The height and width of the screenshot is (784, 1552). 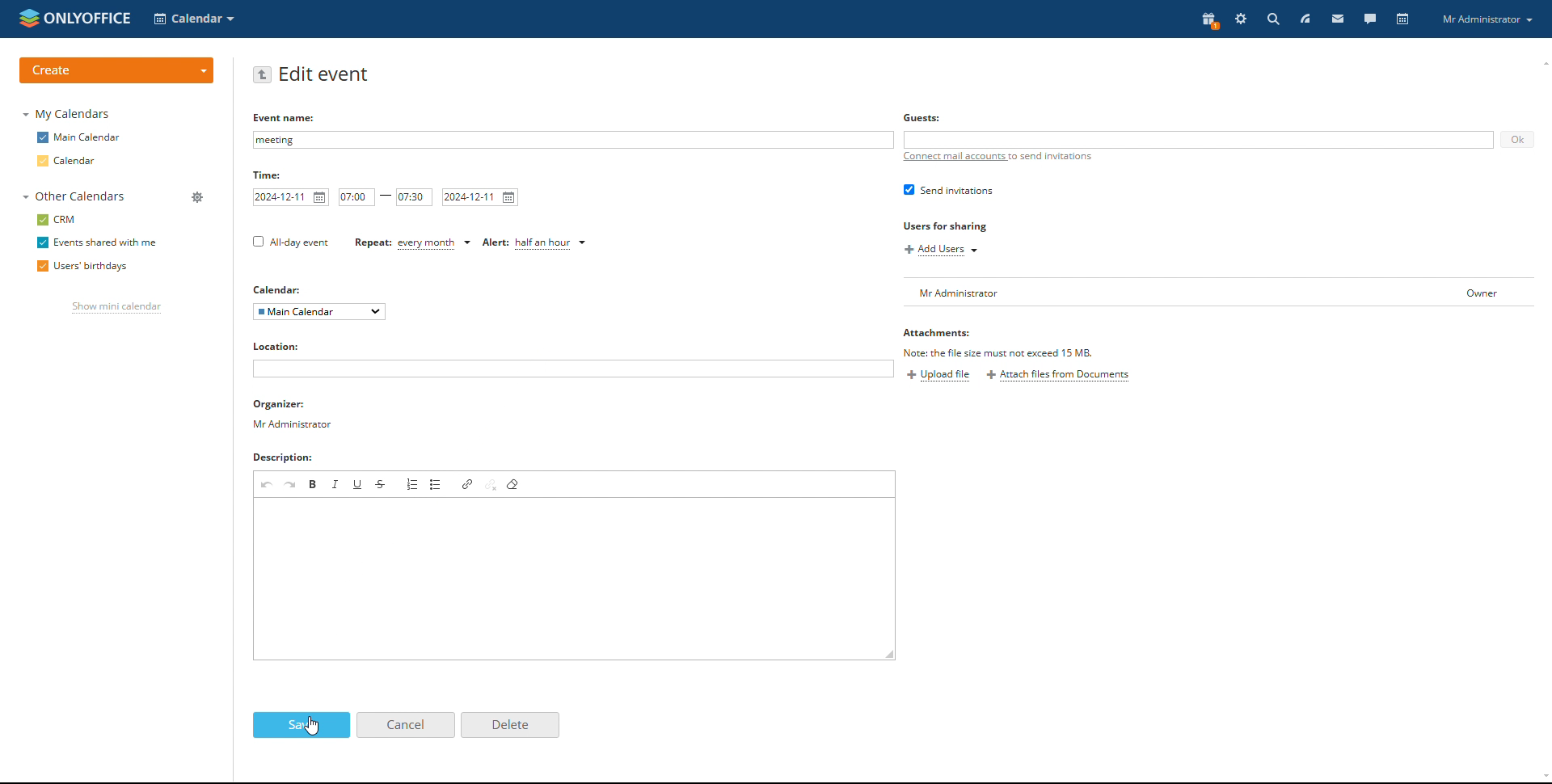 I want to click on start time, so click(x=356, y=197).